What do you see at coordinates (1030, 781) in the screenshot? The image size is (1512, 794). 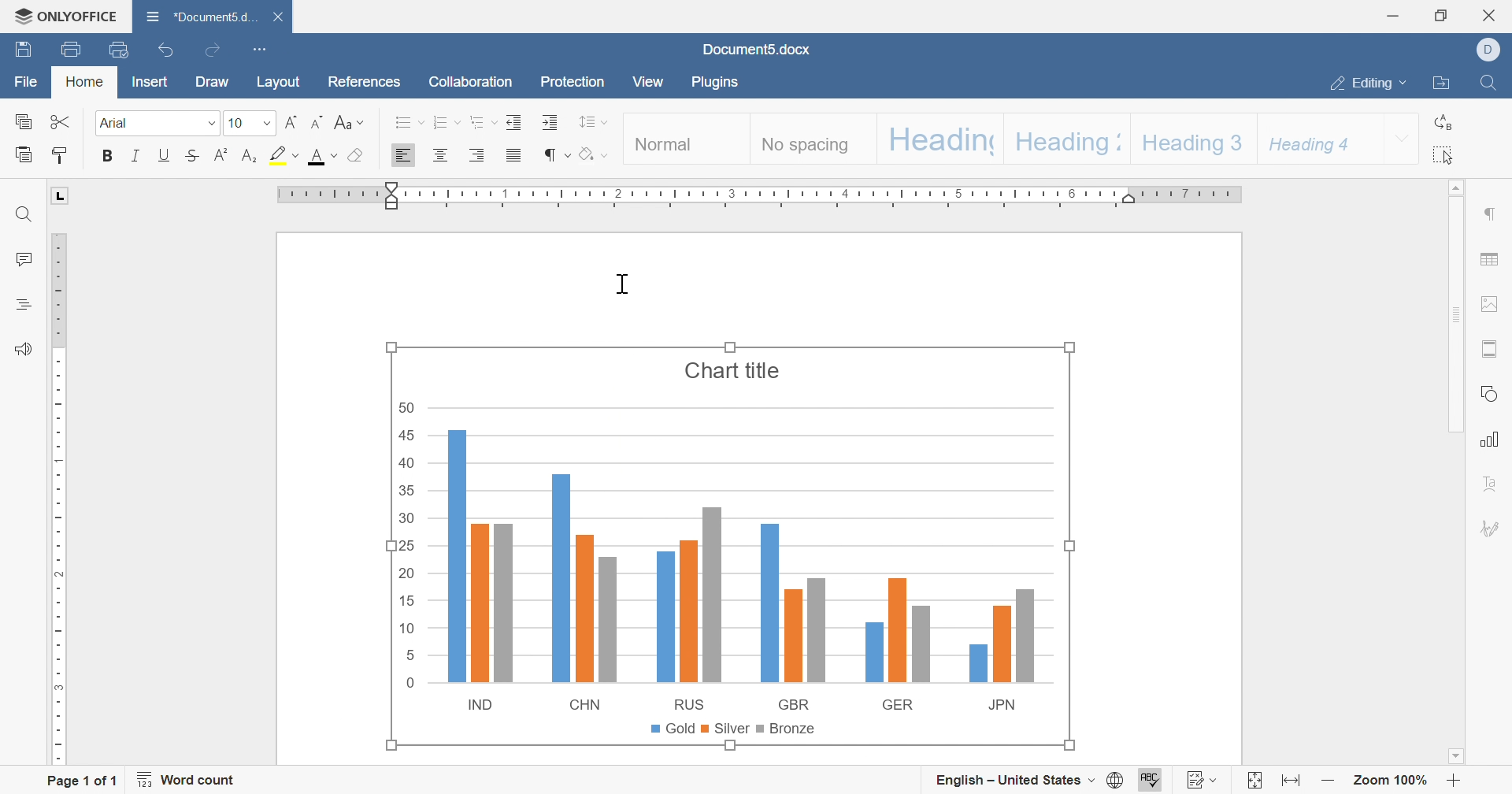 I see `set document language` at bounding box center [1030, 781].